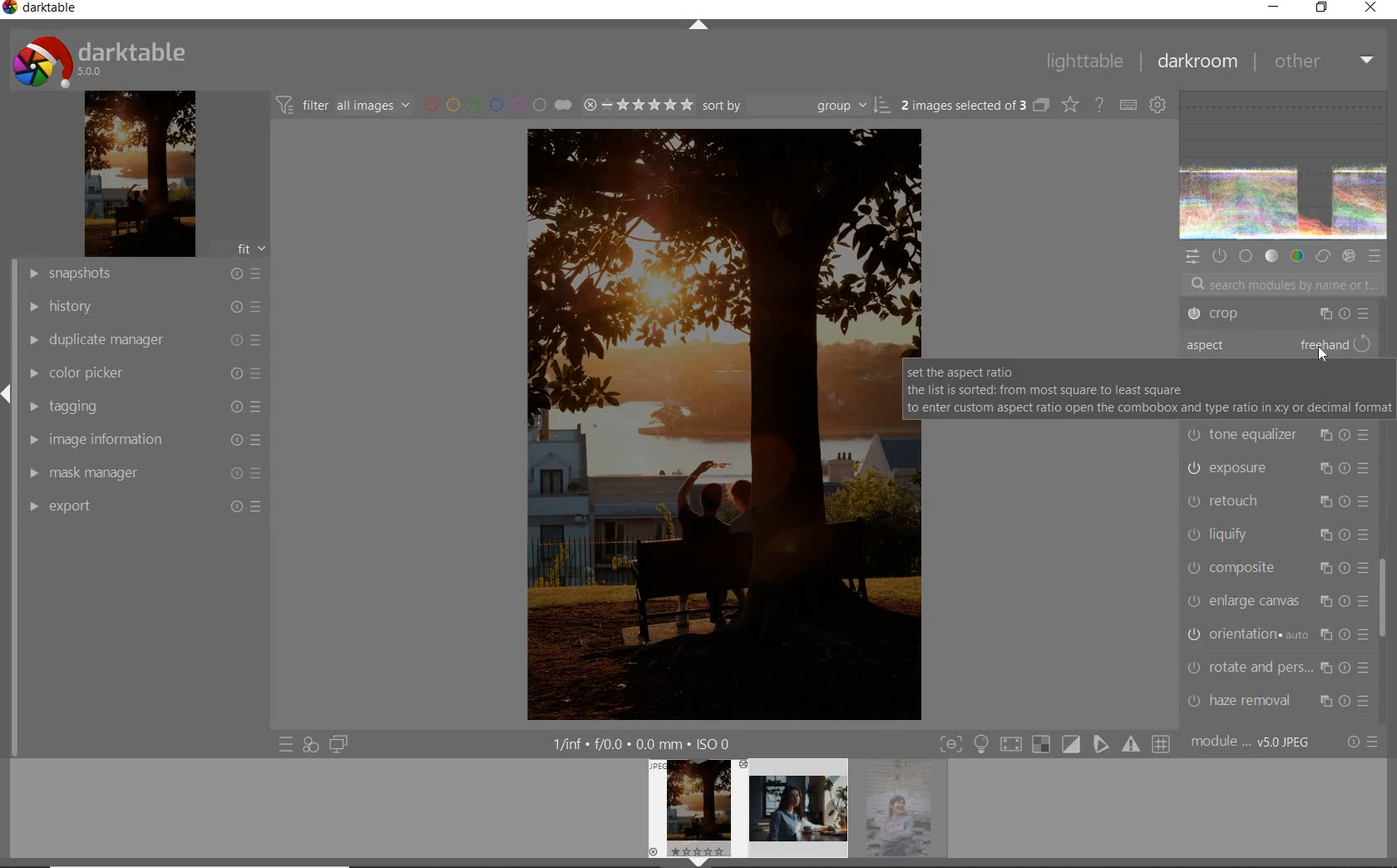 The width and height of the screenshot is (1397, 868). What do you see at coordinates (1278, 468) in the screenshot?
I see `exposure` at bounding box center [1278, 468].